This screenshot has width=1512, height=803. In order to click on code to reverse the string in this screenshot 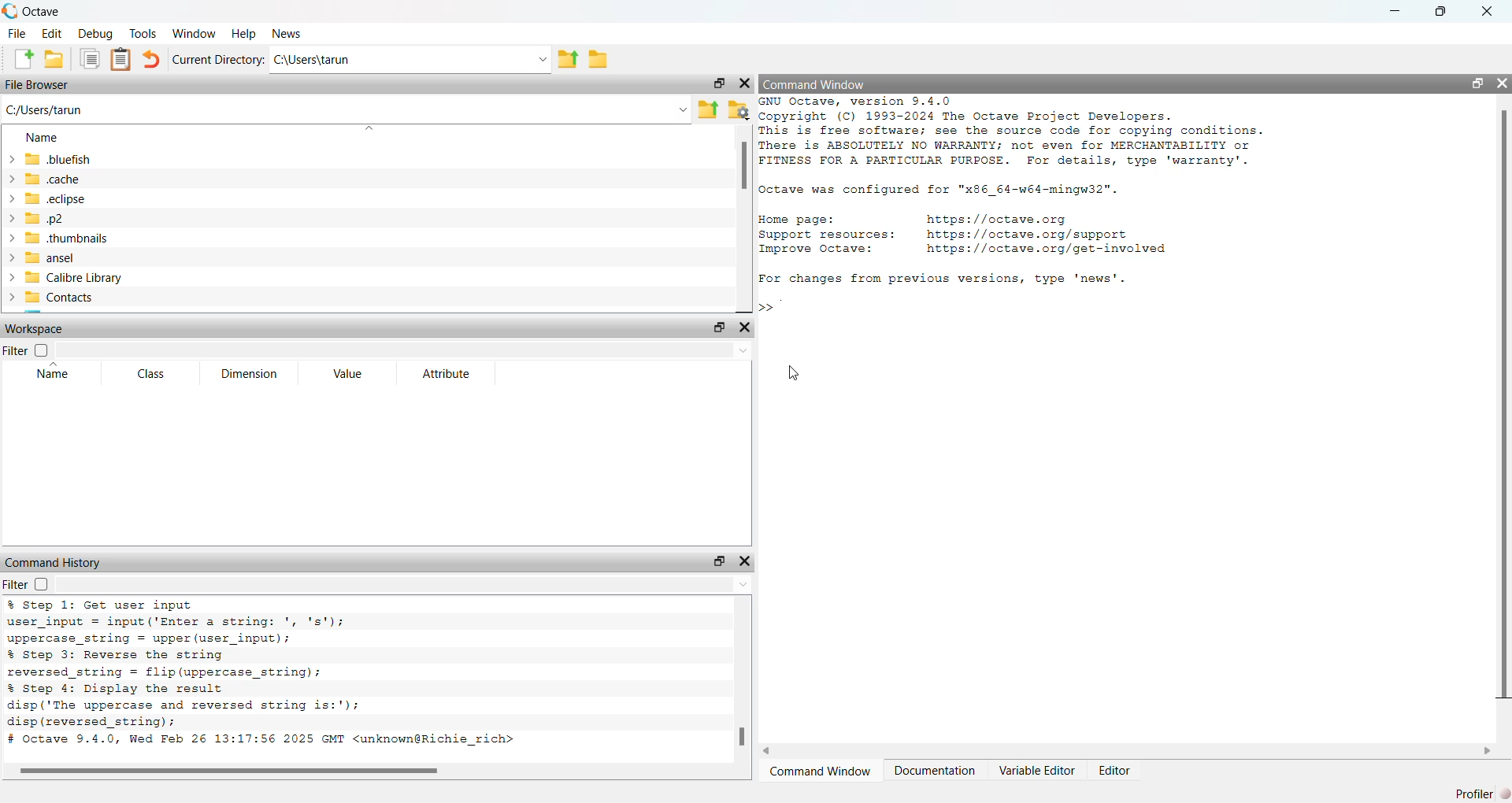, I will do `click(198, 664)`.